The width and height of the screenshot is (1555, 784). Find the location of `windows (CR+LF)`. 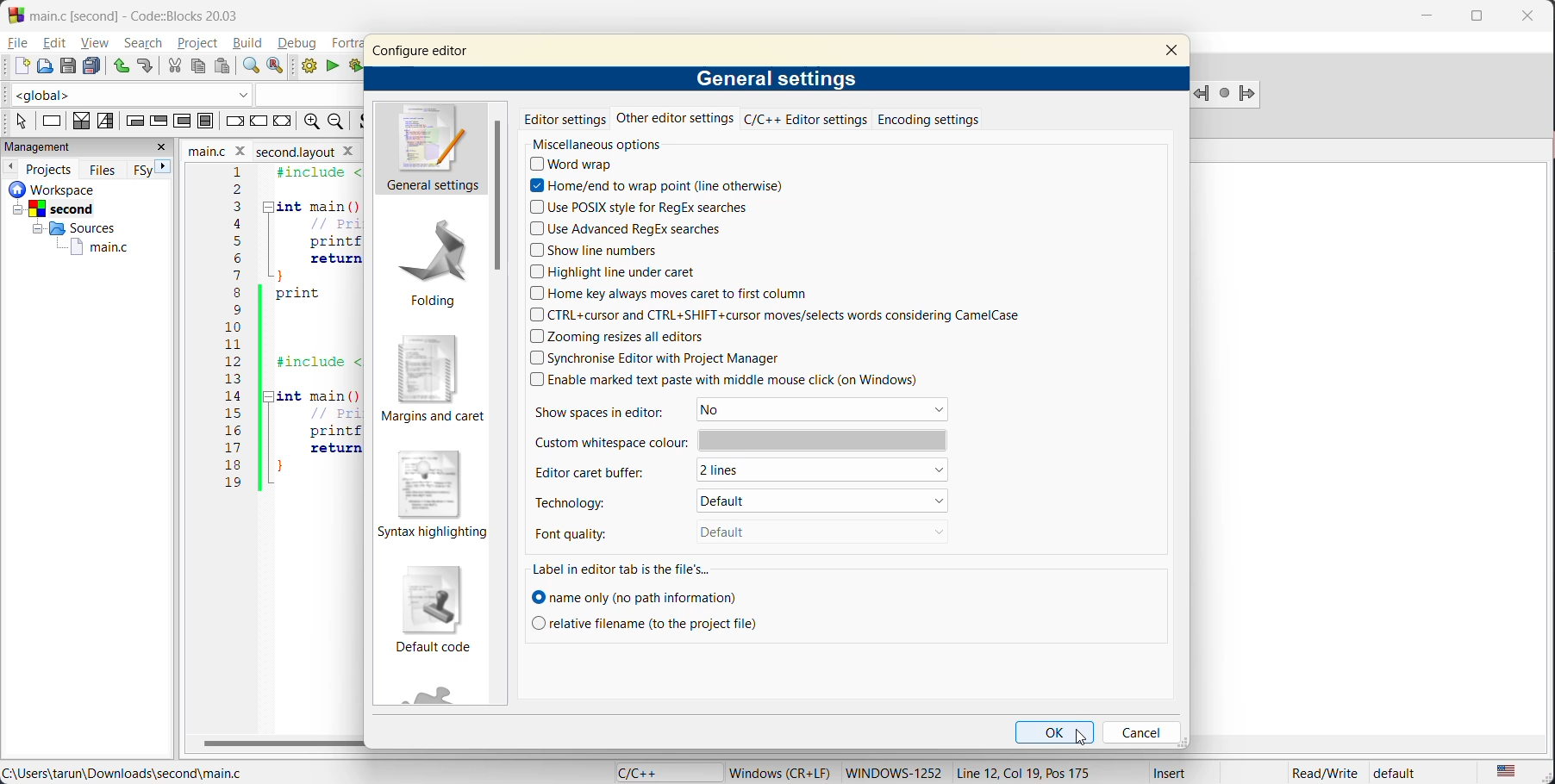

windows (CR+LF) is located at coordinates (781, 772).